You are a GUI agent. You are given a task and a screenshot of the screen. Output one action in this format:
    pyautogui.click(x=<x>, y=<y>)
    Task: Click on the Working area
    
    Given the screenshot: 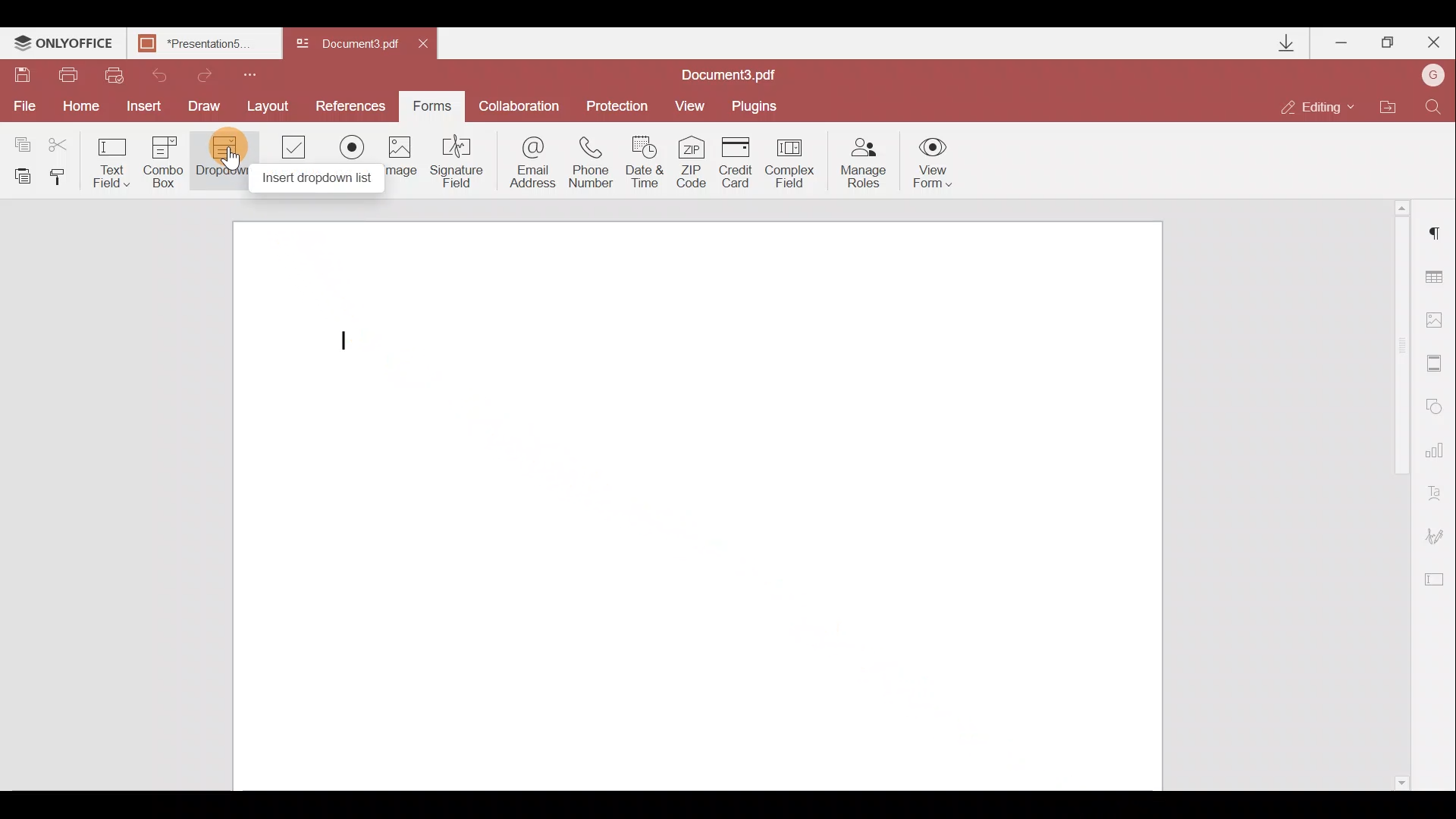 What is the action you would take?
    pyautogui.click(x=695, y=506)
    